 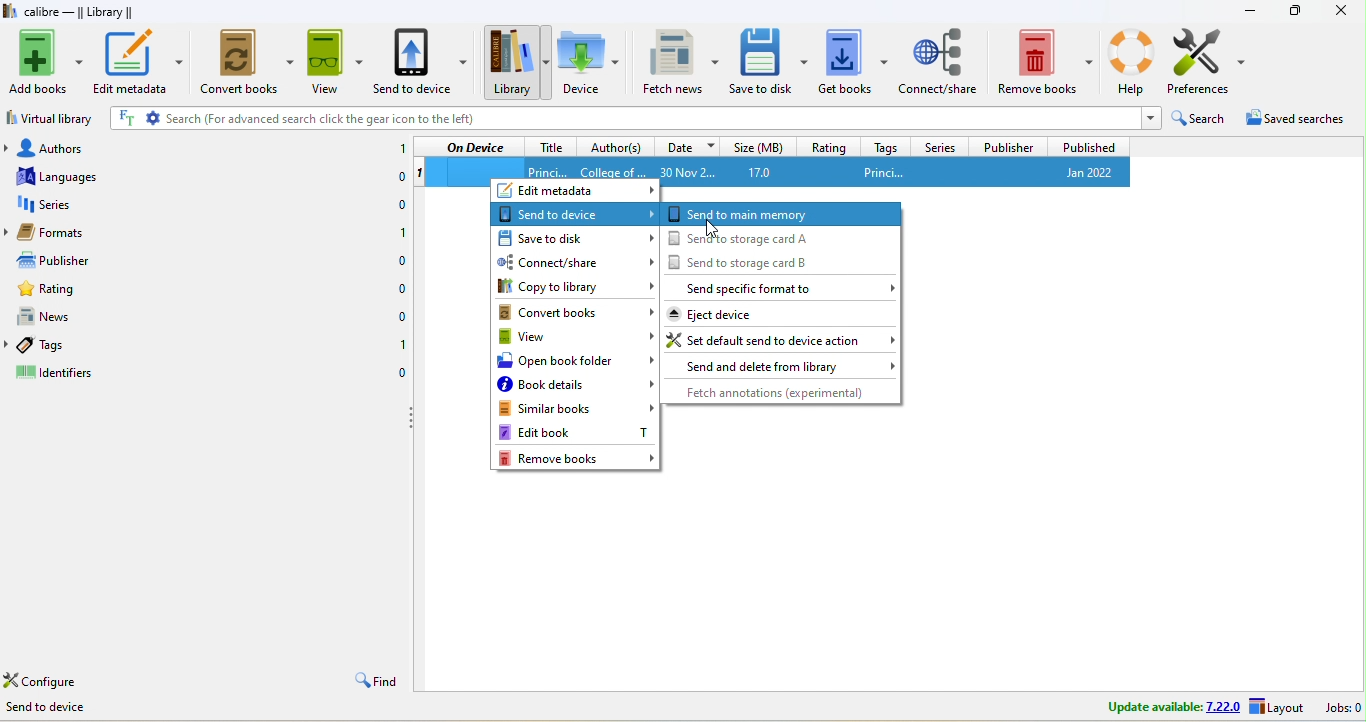 I want to click on authors, so click(x=55, y=145).